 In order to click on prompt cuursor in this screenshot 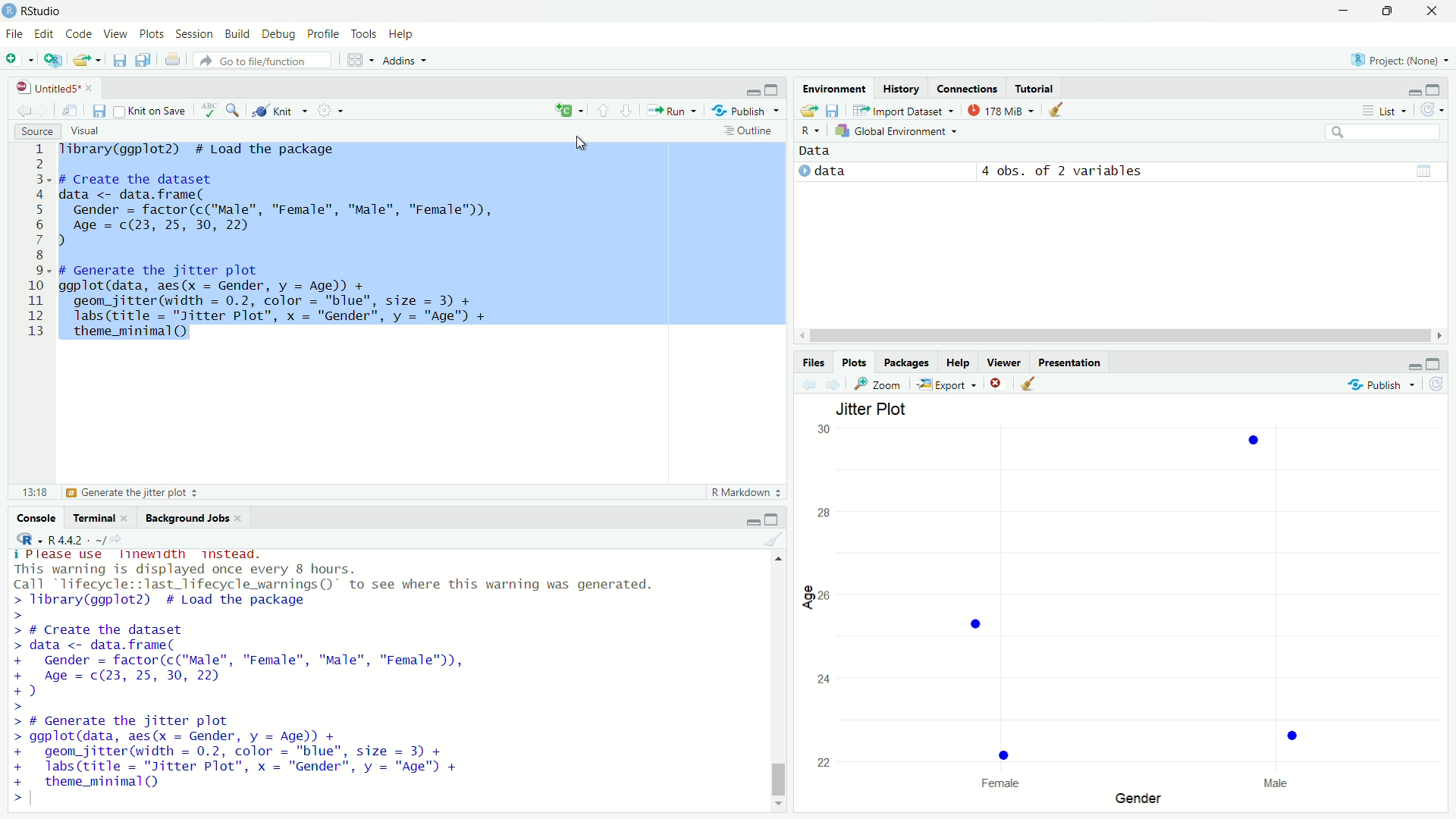, I will do `click(15, 616)`.